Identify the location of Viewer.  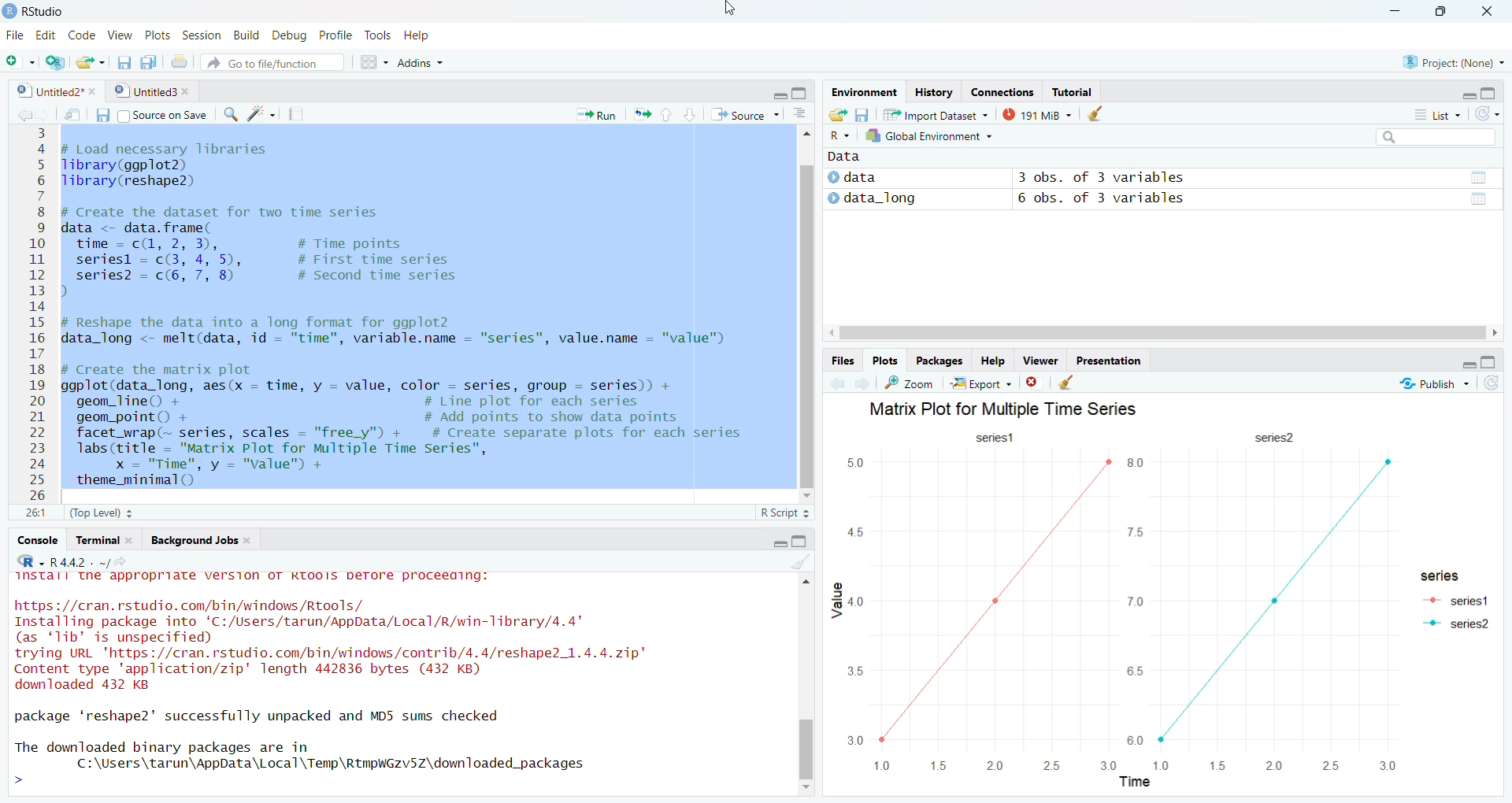
(1038, 358).